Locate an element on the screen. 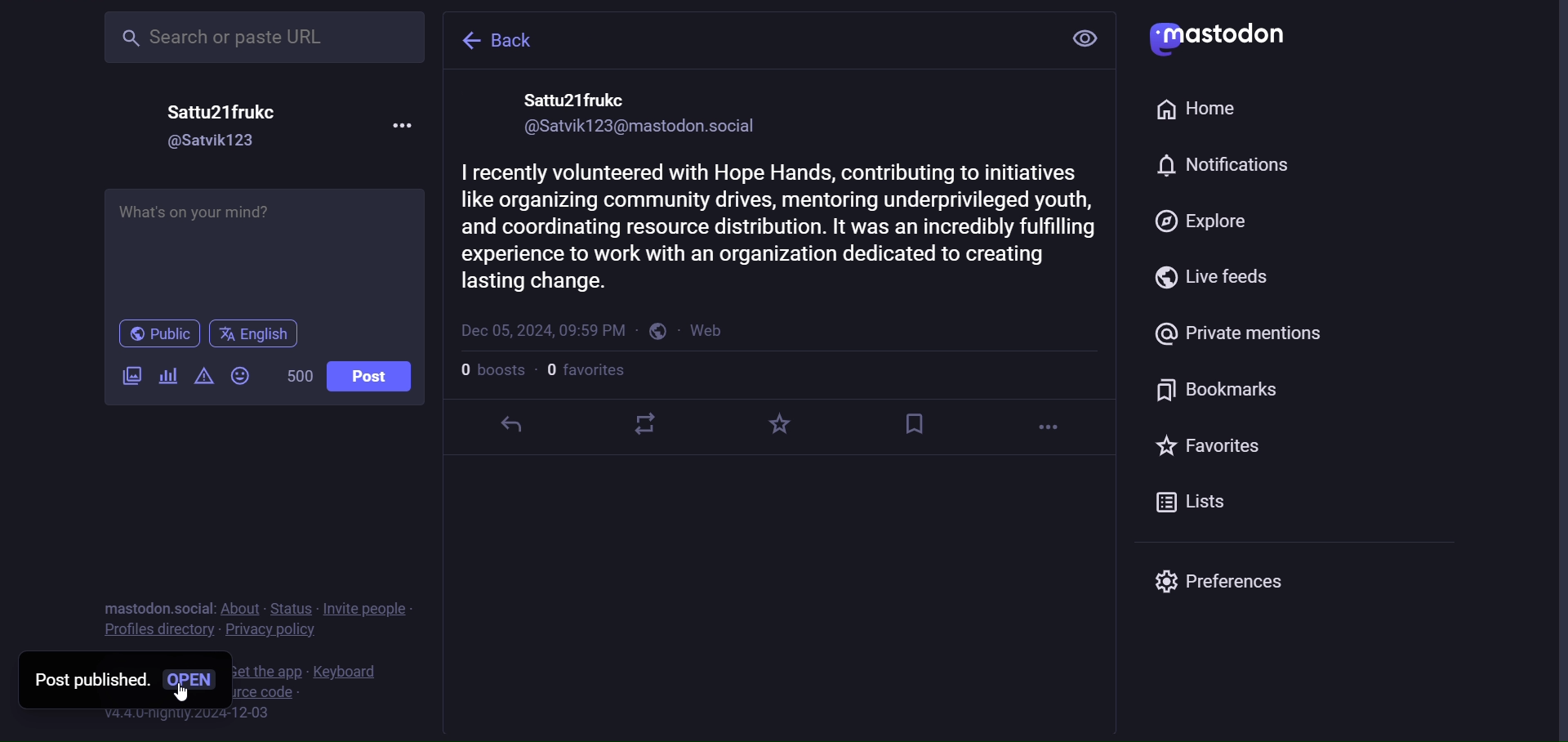  private mention is located at coordinates (1234, 332).